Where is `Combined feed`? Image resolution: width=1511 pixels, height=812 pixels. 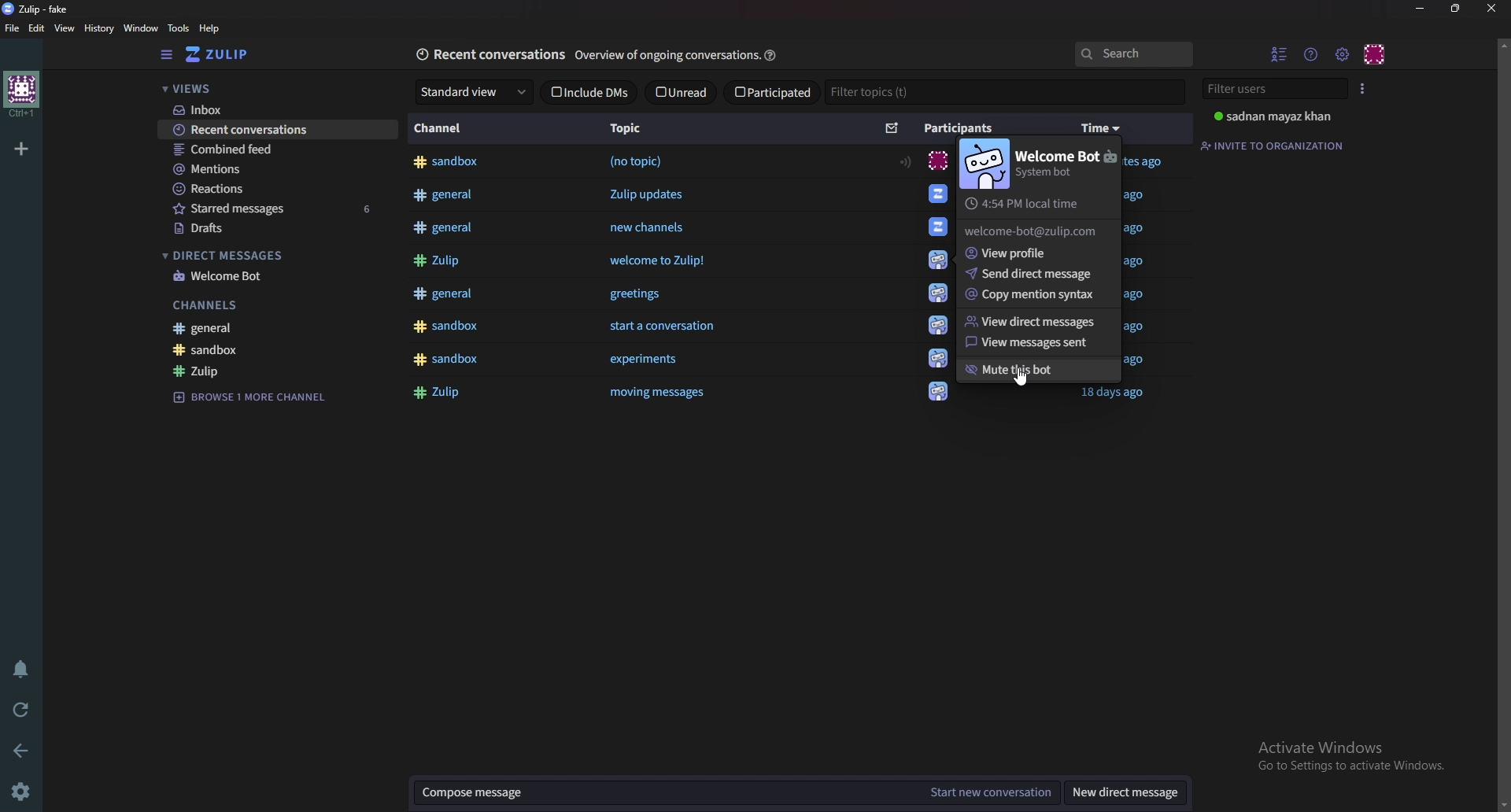
Combined feed is located at coordinates (279, 150).